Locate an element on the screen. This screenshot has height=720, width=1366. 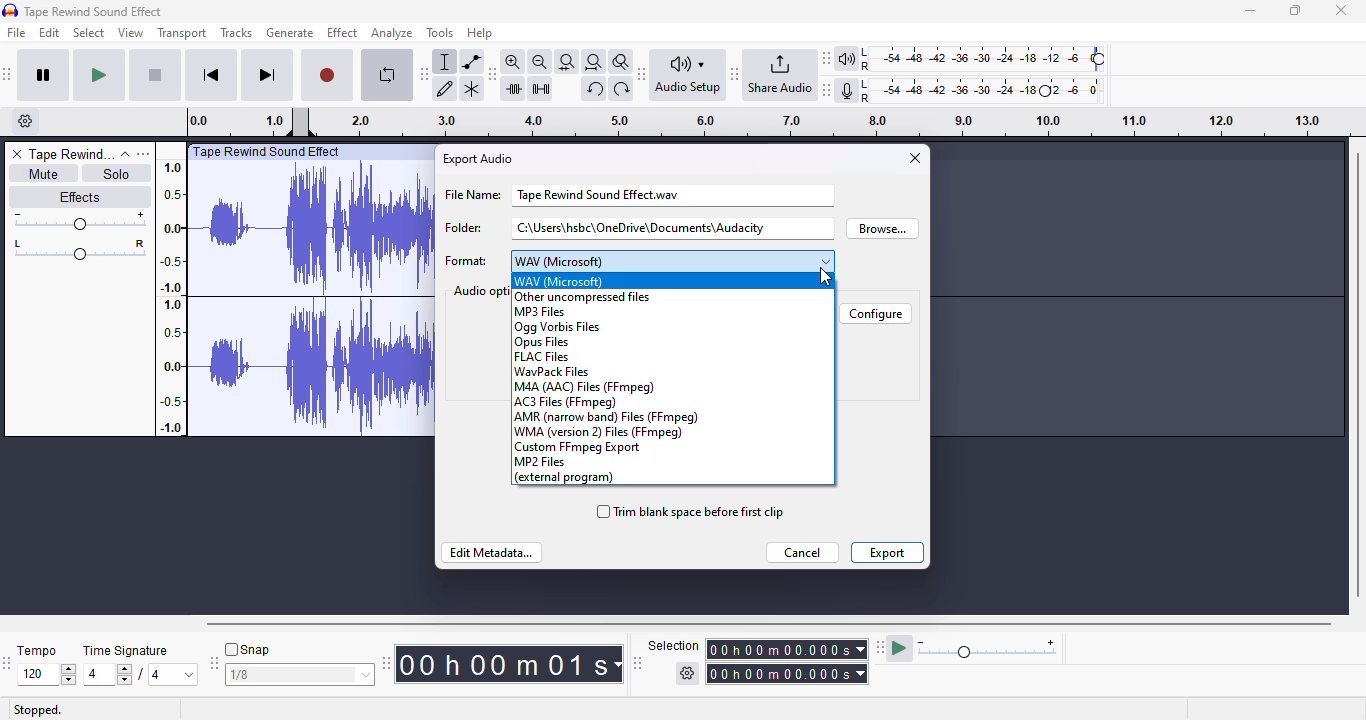
pause is located at coordinates (43, 76).